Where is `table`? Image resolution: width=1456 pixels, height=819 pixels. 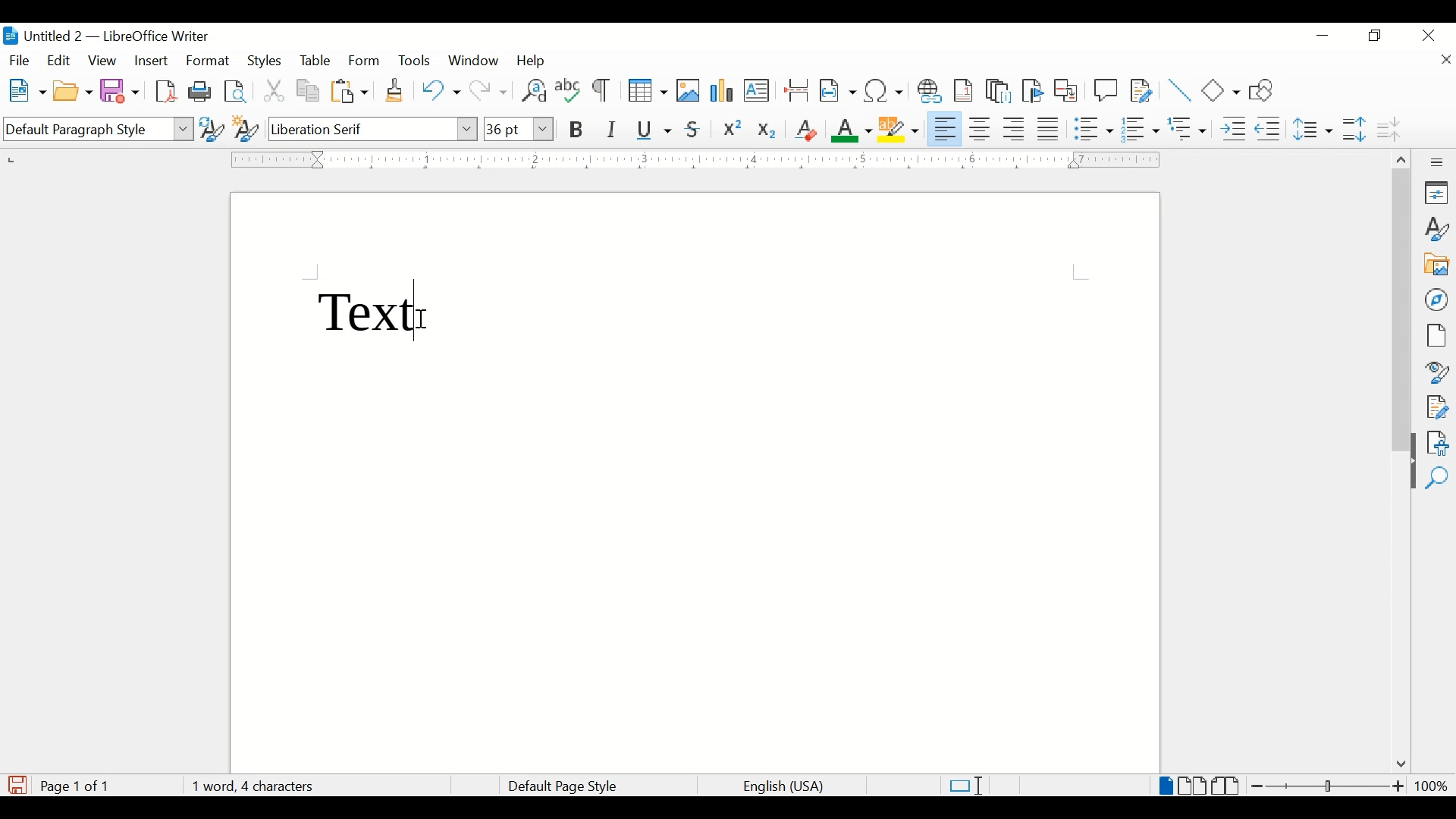 table is located at coordinates (315, 61).